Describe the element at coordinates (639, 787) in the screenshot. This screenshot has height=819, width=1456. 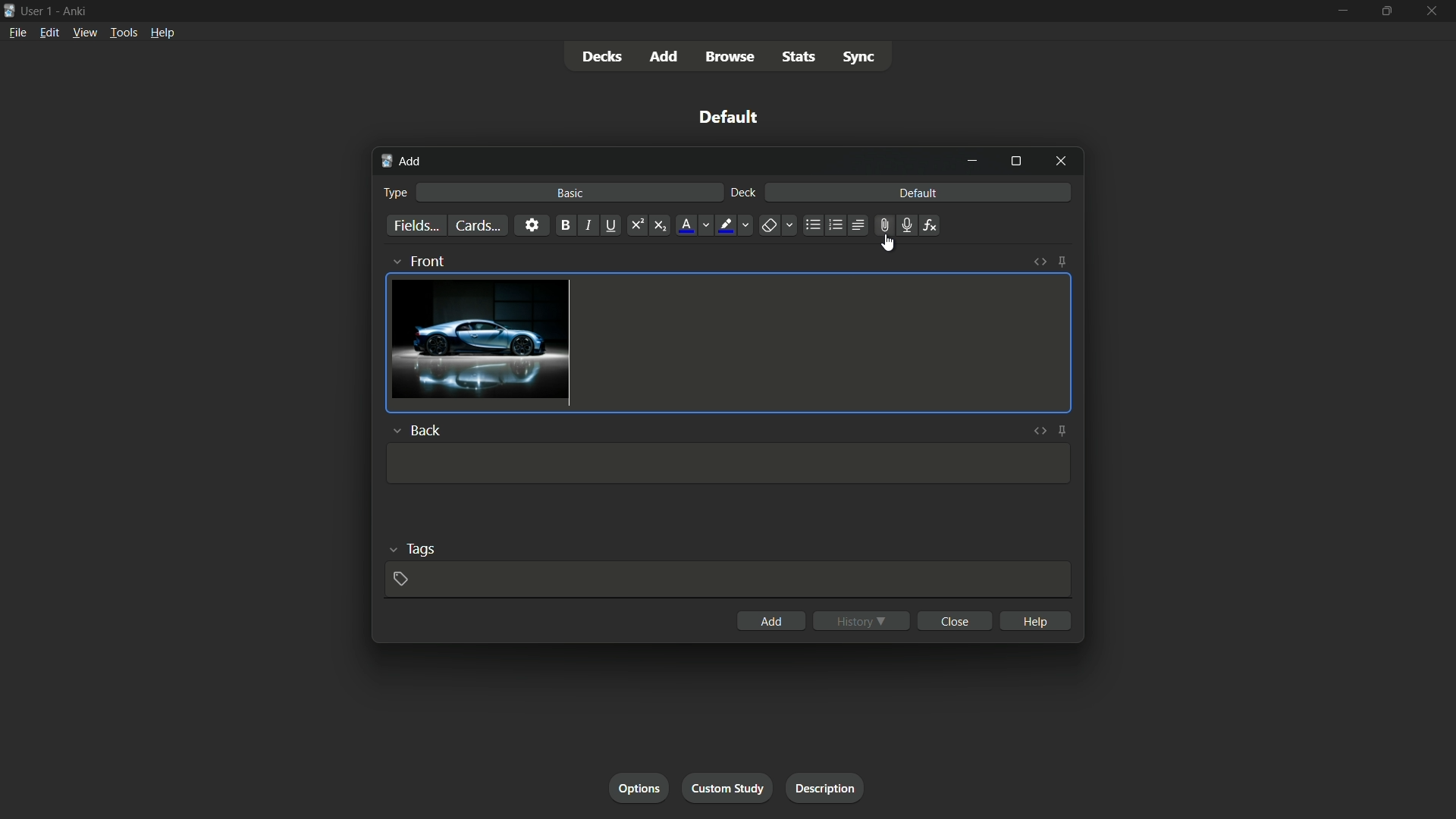
I see `options` at that location.